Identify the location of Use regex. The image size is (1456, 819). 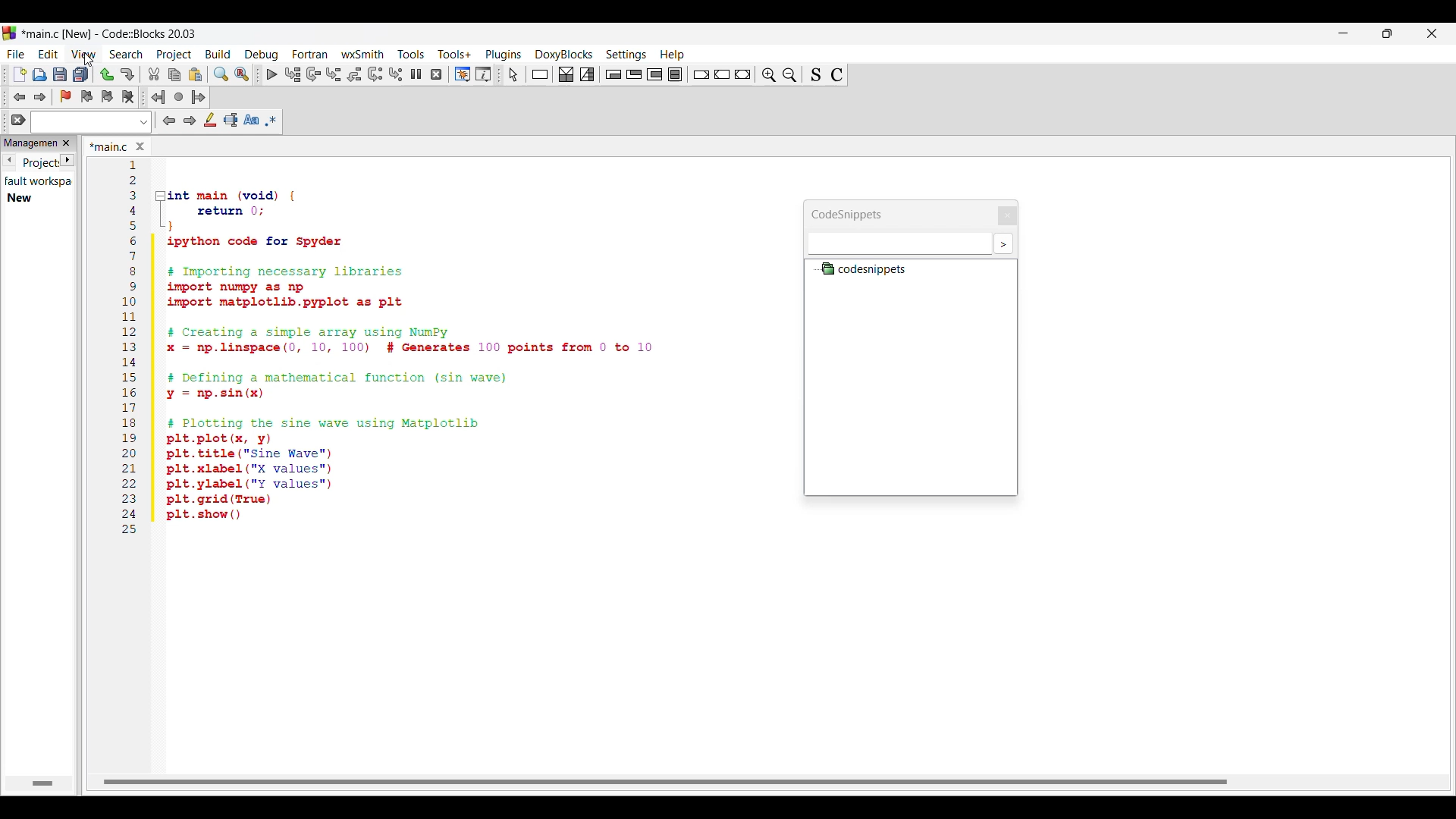
(271, 121).